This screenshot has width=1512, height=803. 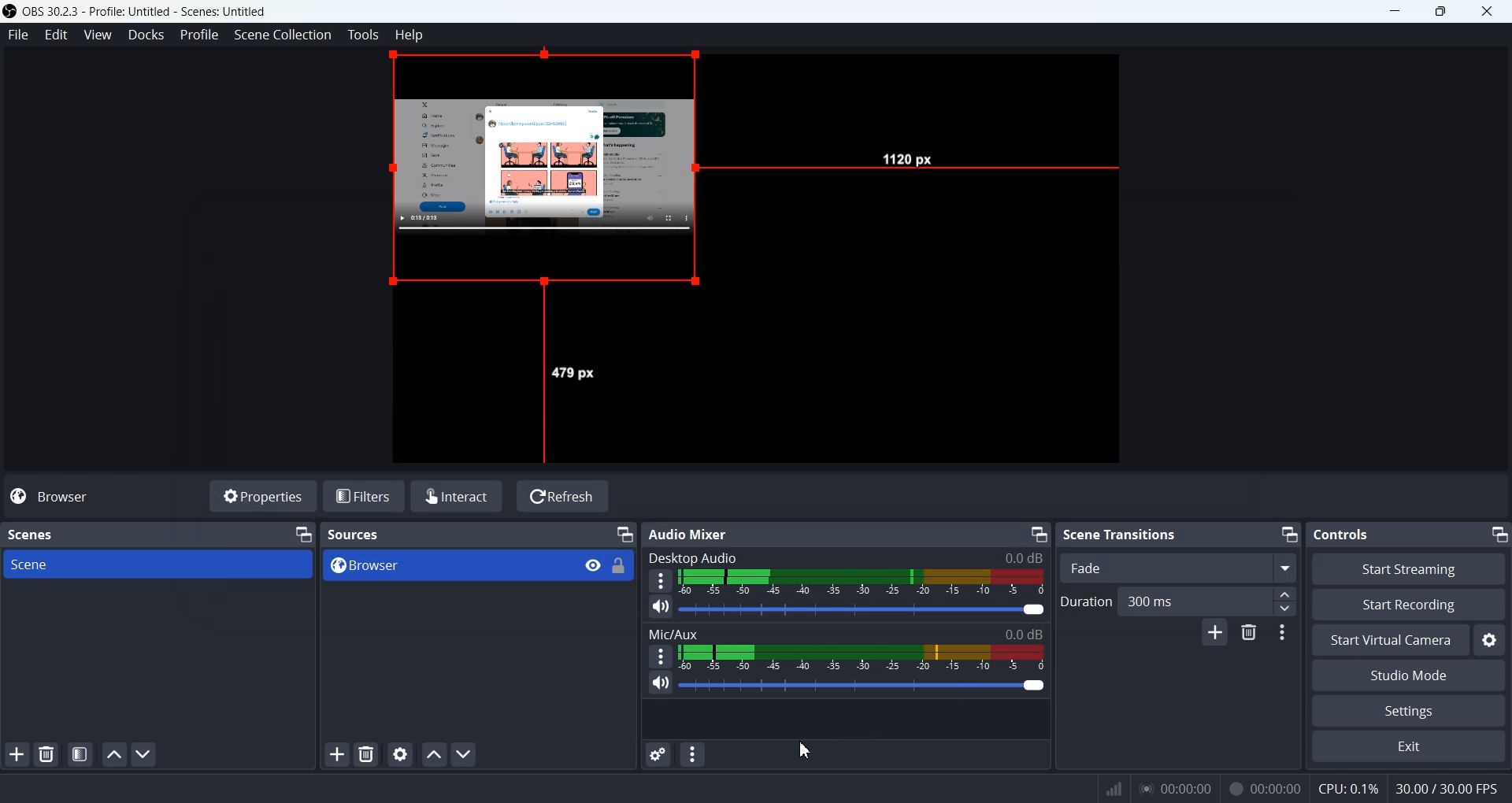 I want to click on Audio mixer menu, so click(x=694, y=754).